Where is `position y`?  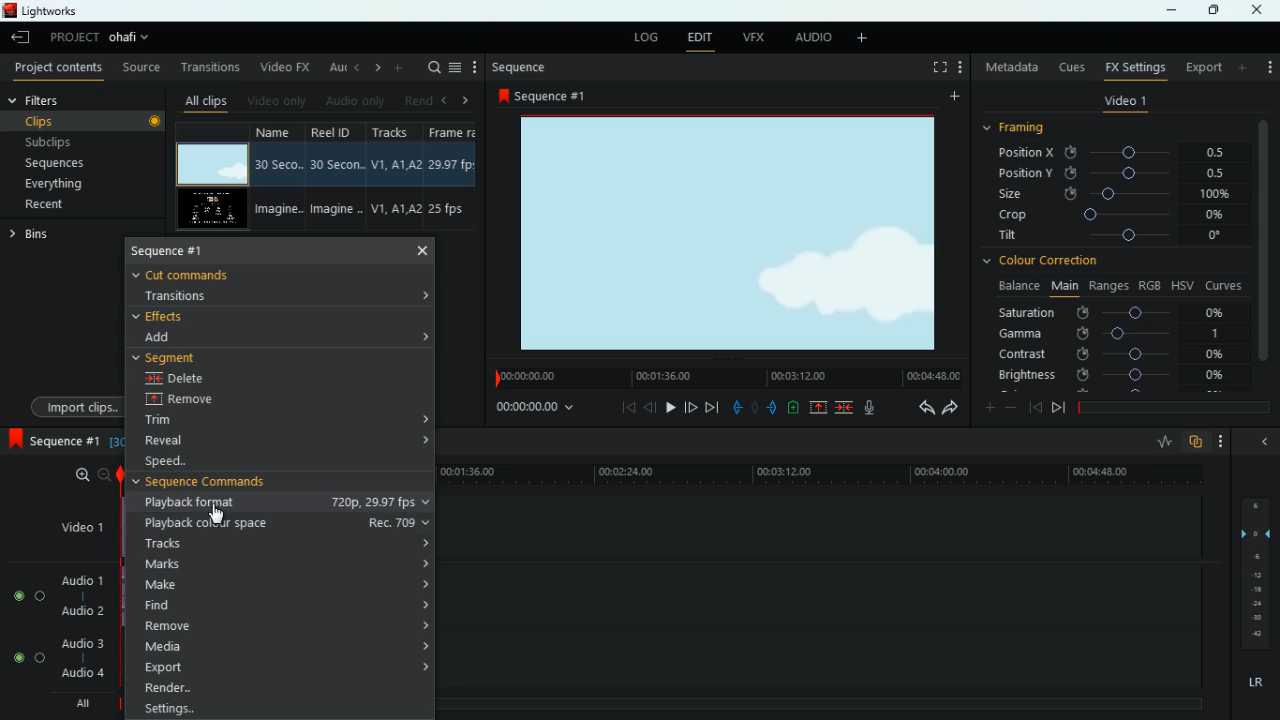 position y is located at coordinates (1117, 172).